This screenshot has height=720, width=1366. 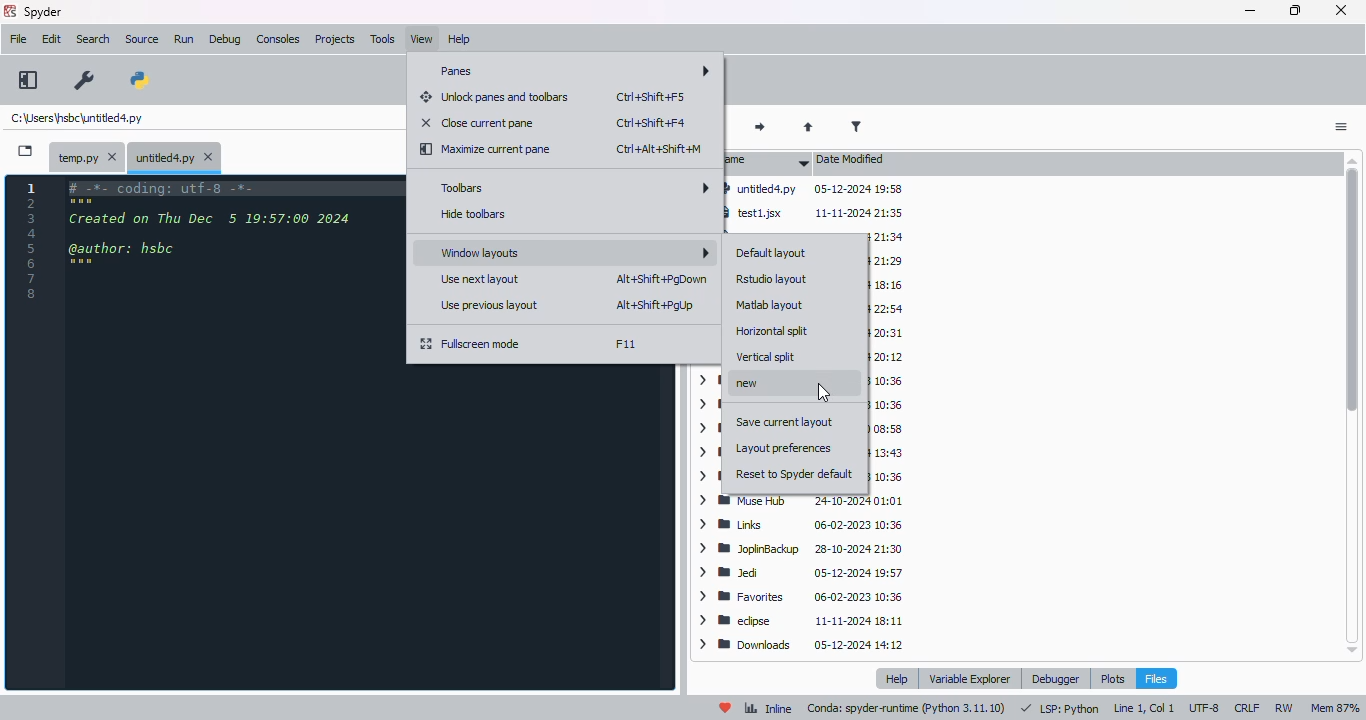 I want to click on panes, so click(x=570, y=71).